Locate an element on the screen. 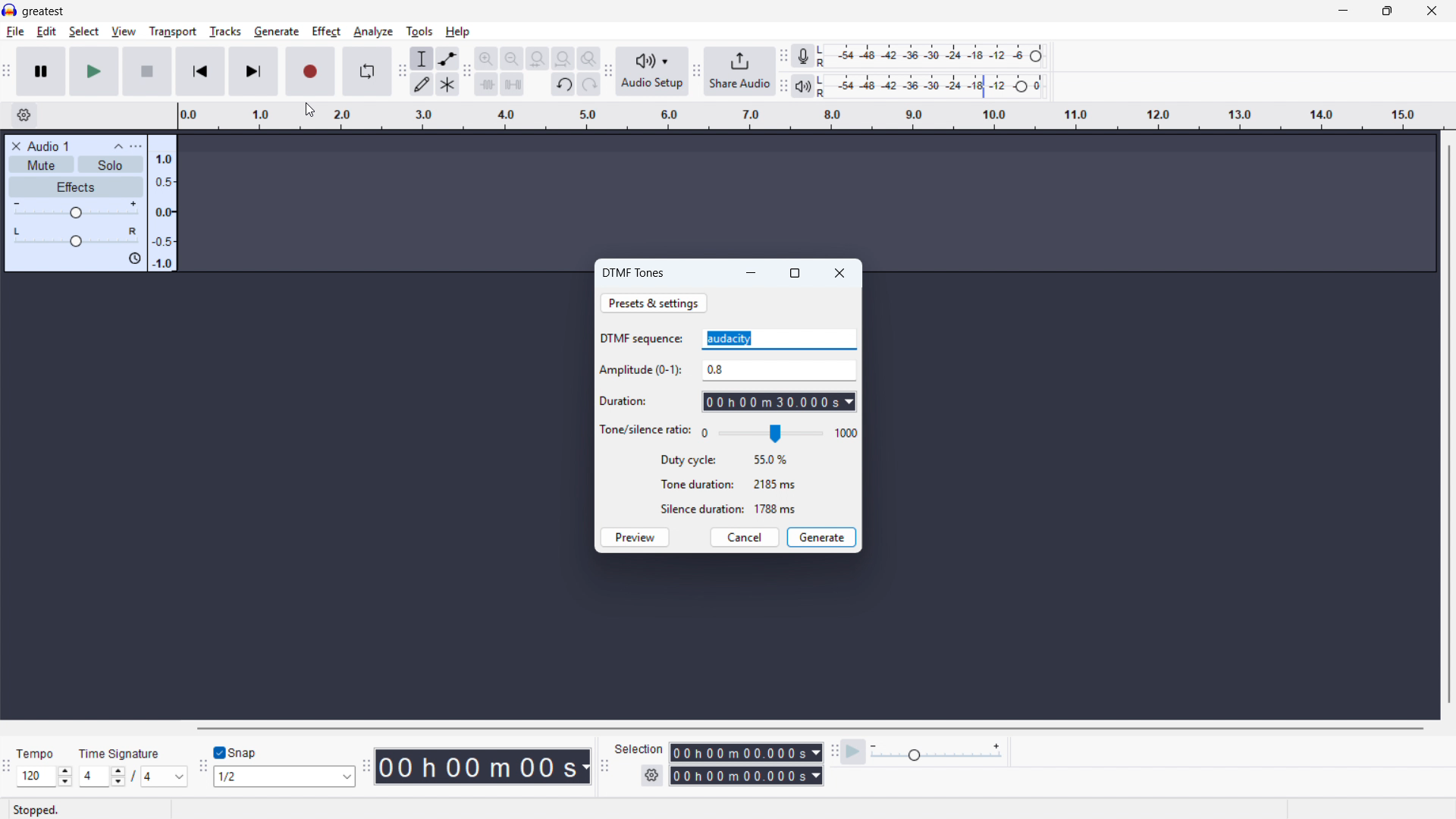 Image resolution: width=1456 pixels, height=819 pixels. silence audio outside selection is located at coordinates (511, 85).